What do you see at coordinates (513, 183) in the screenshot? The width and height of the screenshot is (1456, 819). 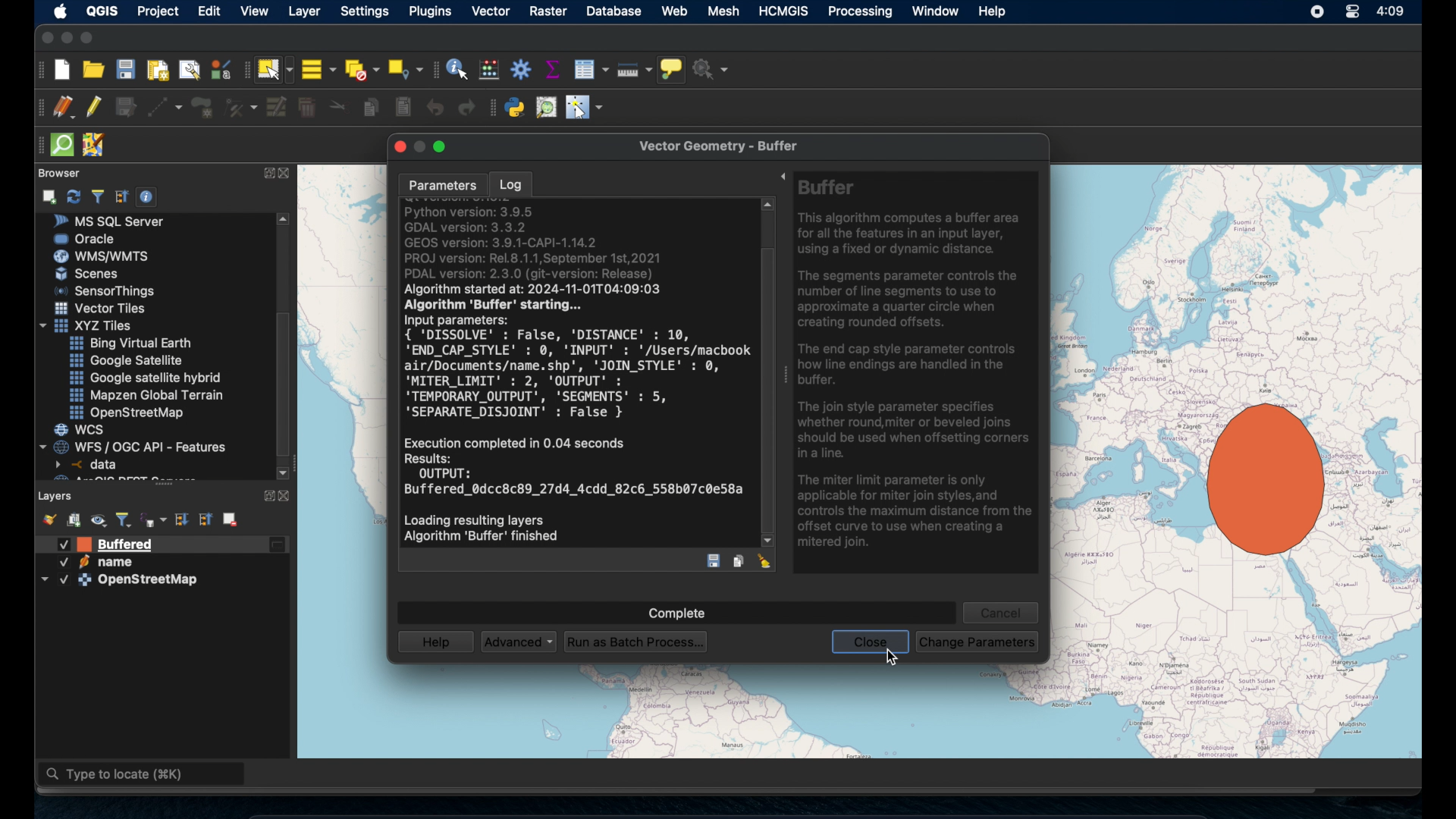 I see `log` at bounding box center [513, 183].